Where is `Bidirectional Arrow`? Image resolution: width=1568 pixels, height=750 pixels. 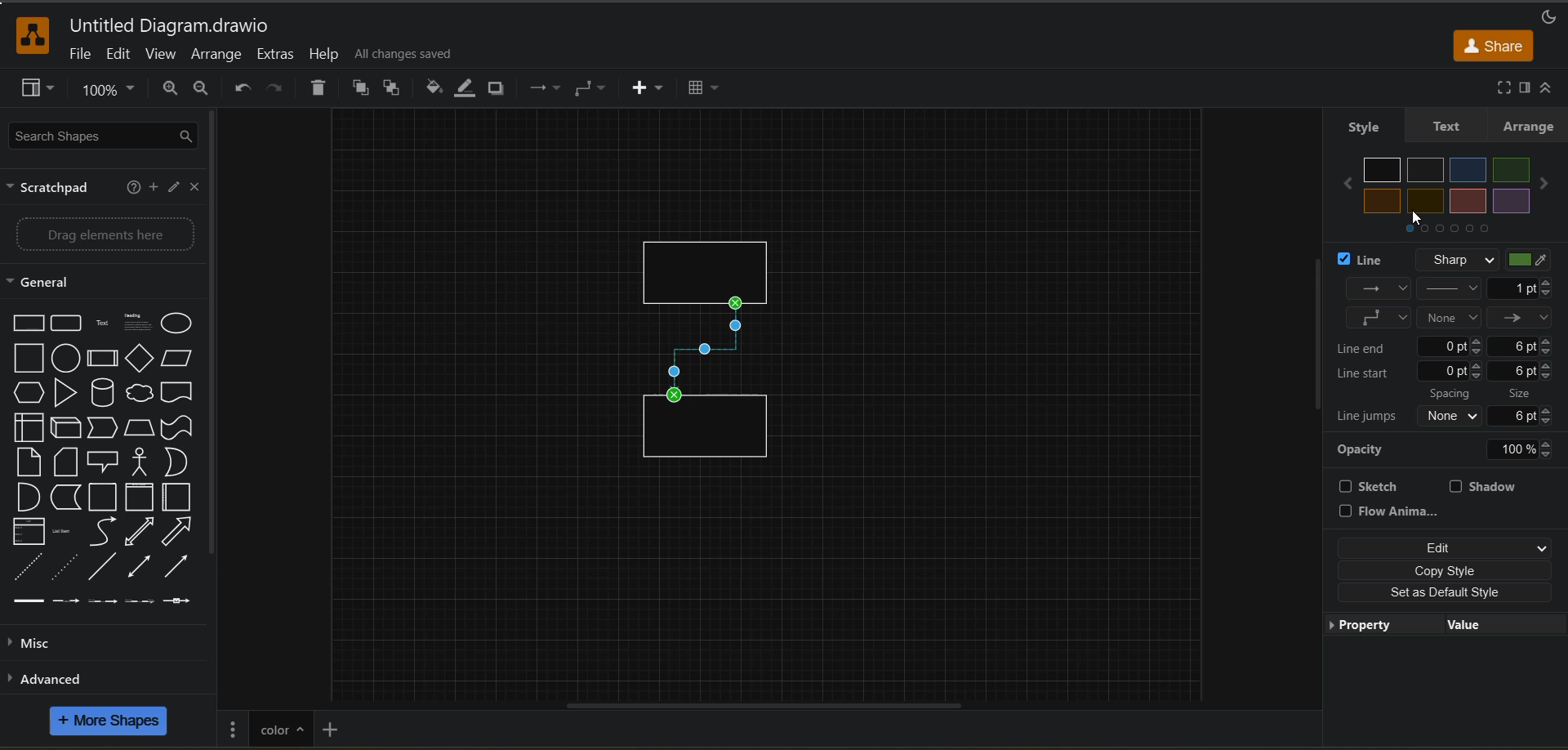
Bidirectional Arrow is located at coordinates (138, 565).